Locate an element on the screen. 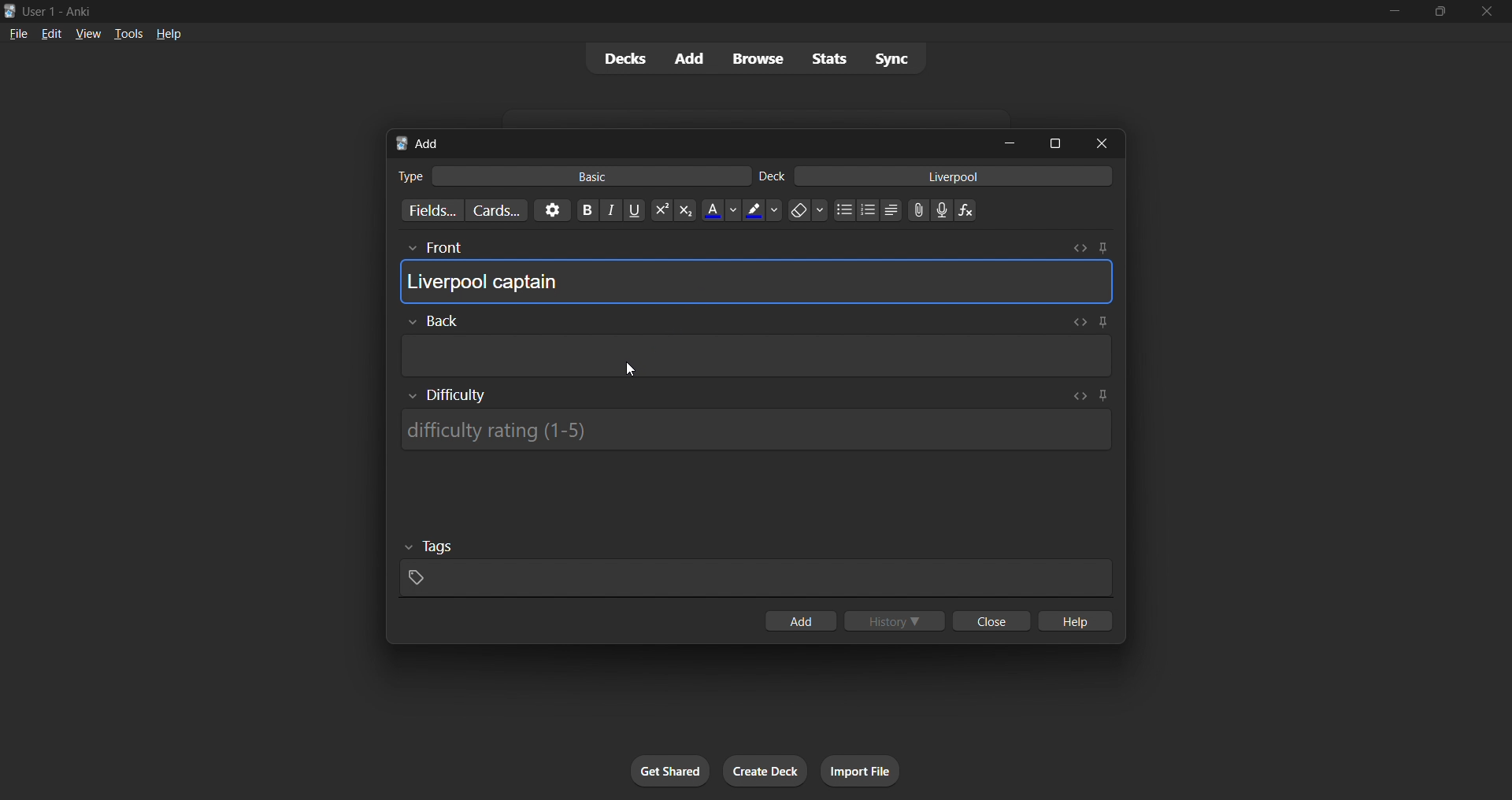  add is located at coordinates (691, 59).